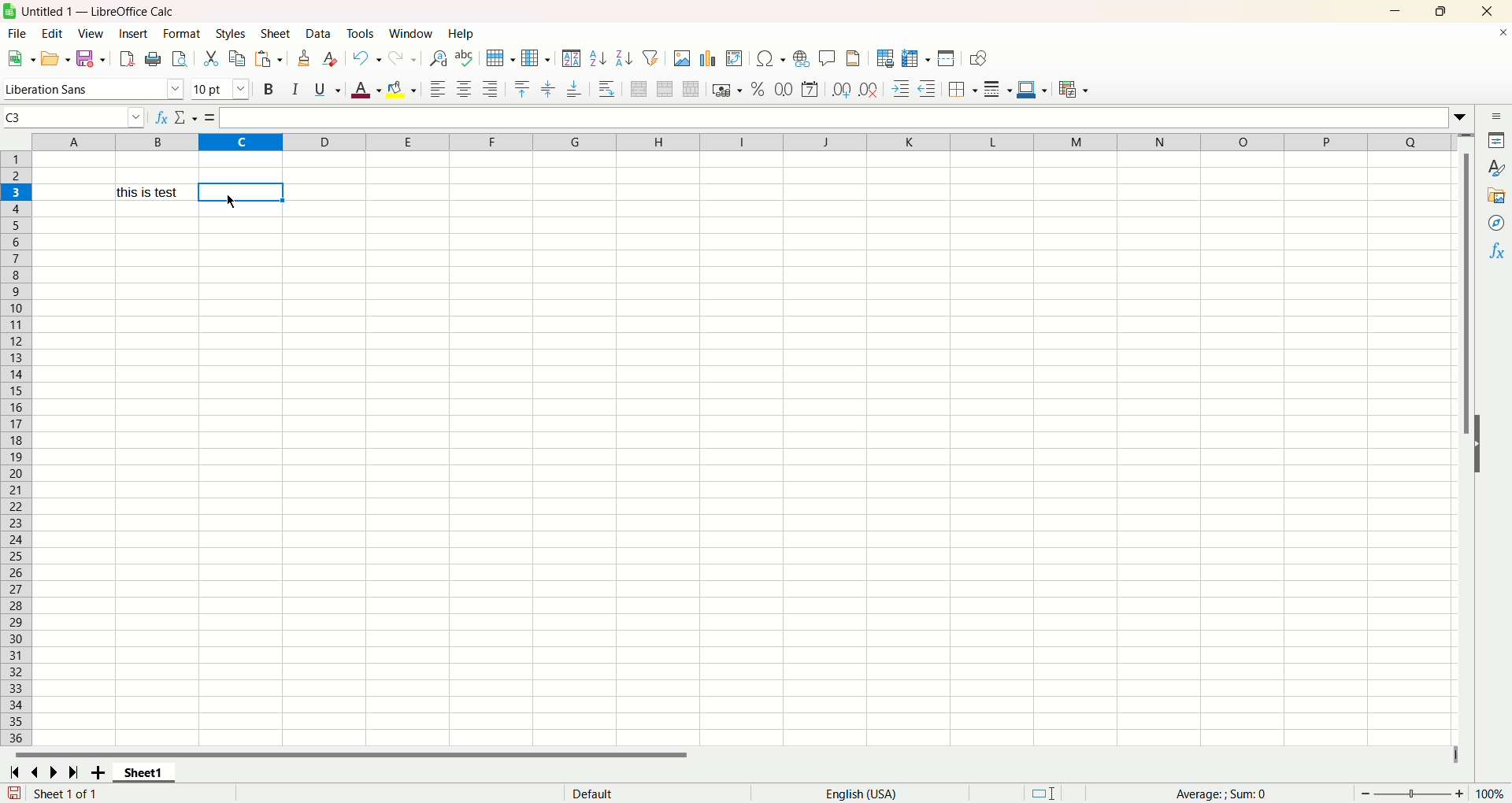  I want to click on format, so click(182, 35).